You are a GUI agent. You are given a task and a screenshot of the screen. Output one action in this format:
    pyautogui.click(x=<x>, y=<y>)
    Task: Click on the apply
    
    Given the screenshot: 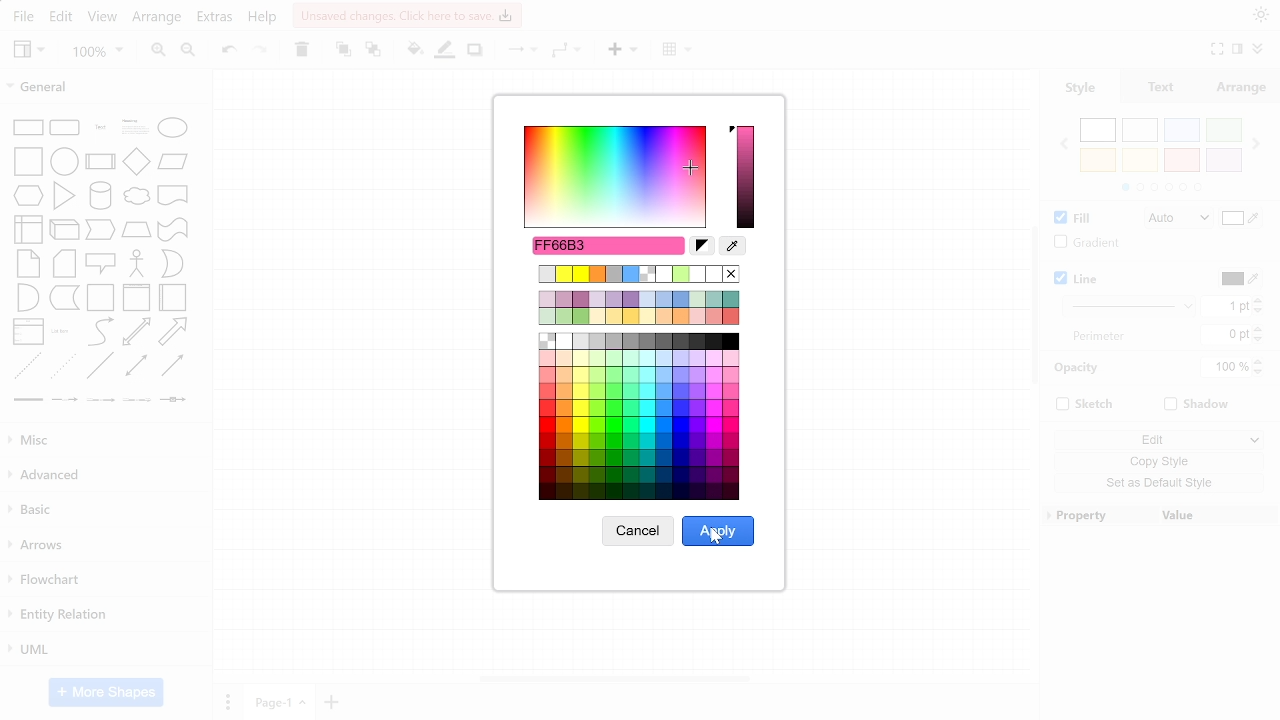 What is the action you would take?
    pyautogui.click(x=718, y=531)
    